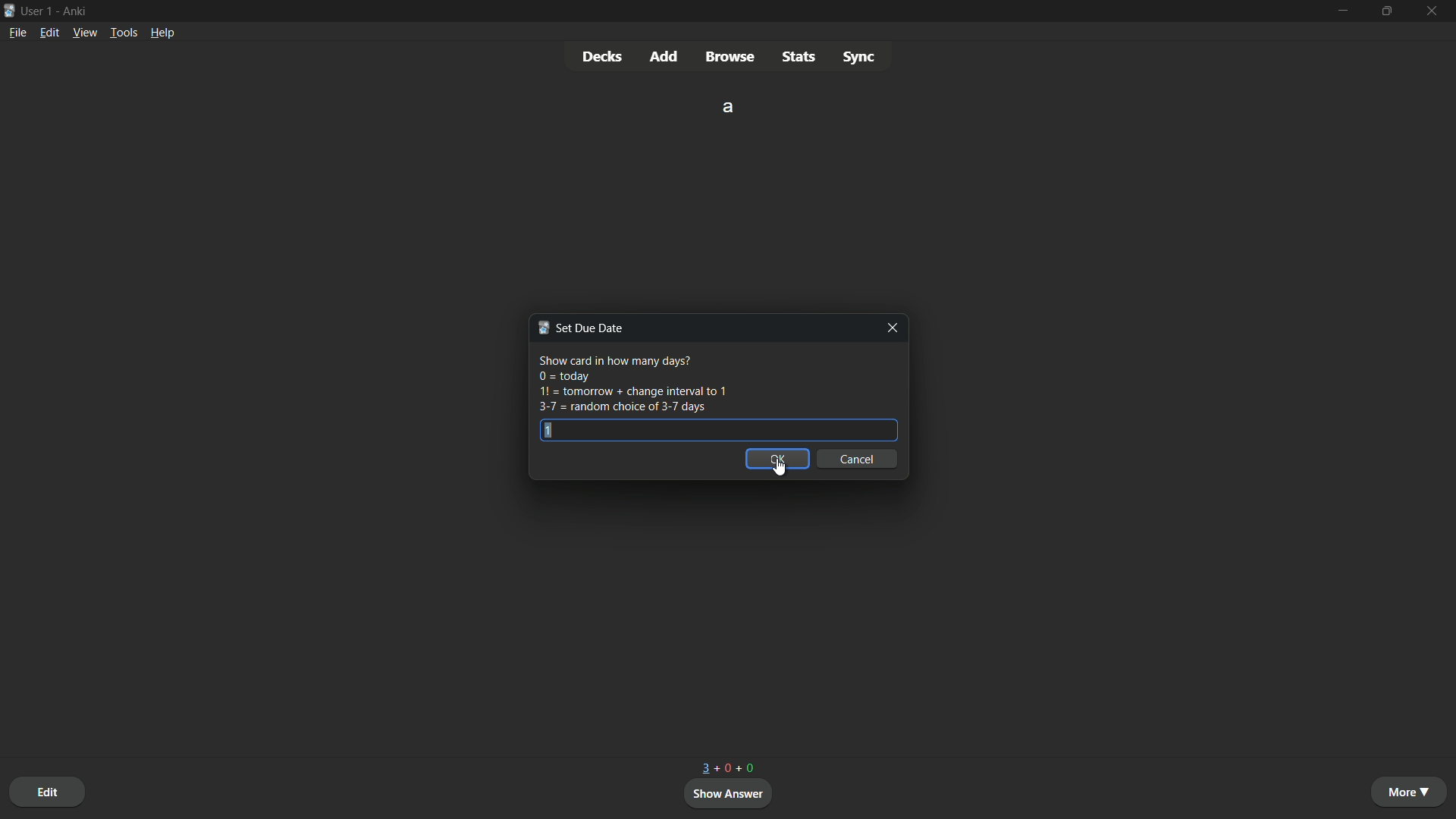  I want to click on stats, so click(798, 56).